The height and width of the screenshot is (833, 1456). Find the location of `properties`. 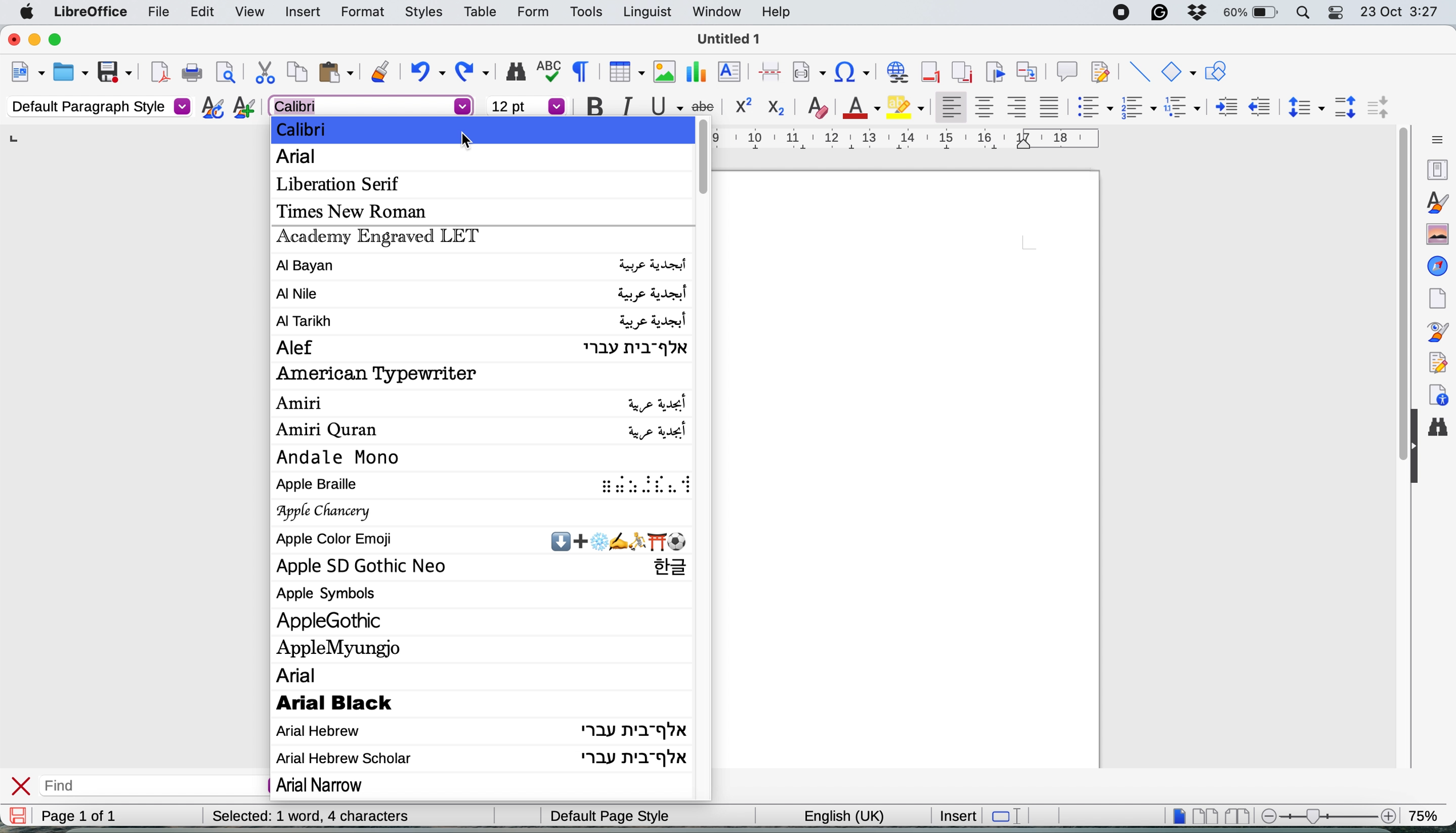

properties is located at coordinates (1437, 170).